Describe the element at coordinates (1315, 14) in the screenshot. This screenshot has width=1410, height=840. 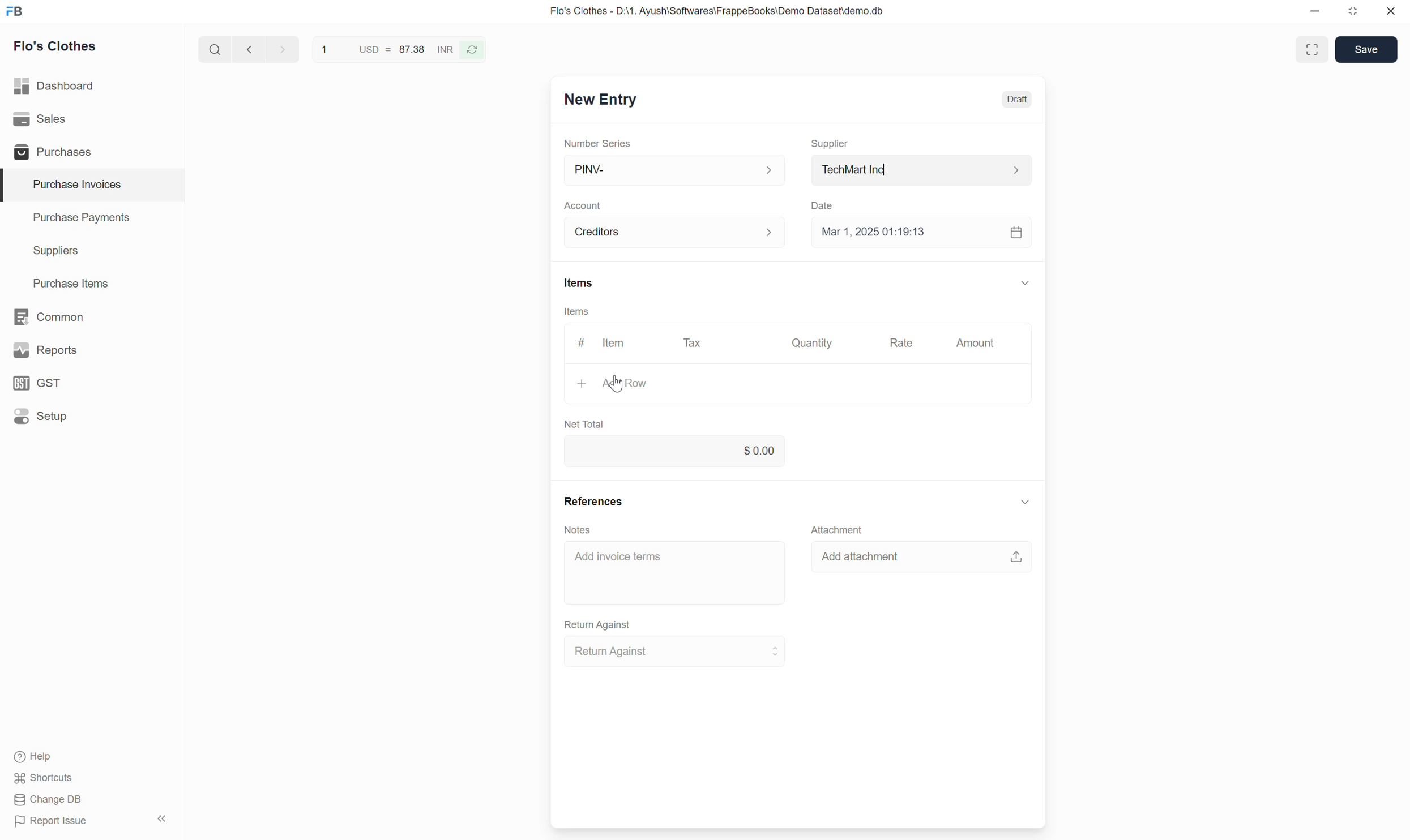
I see `minimize` at that location.